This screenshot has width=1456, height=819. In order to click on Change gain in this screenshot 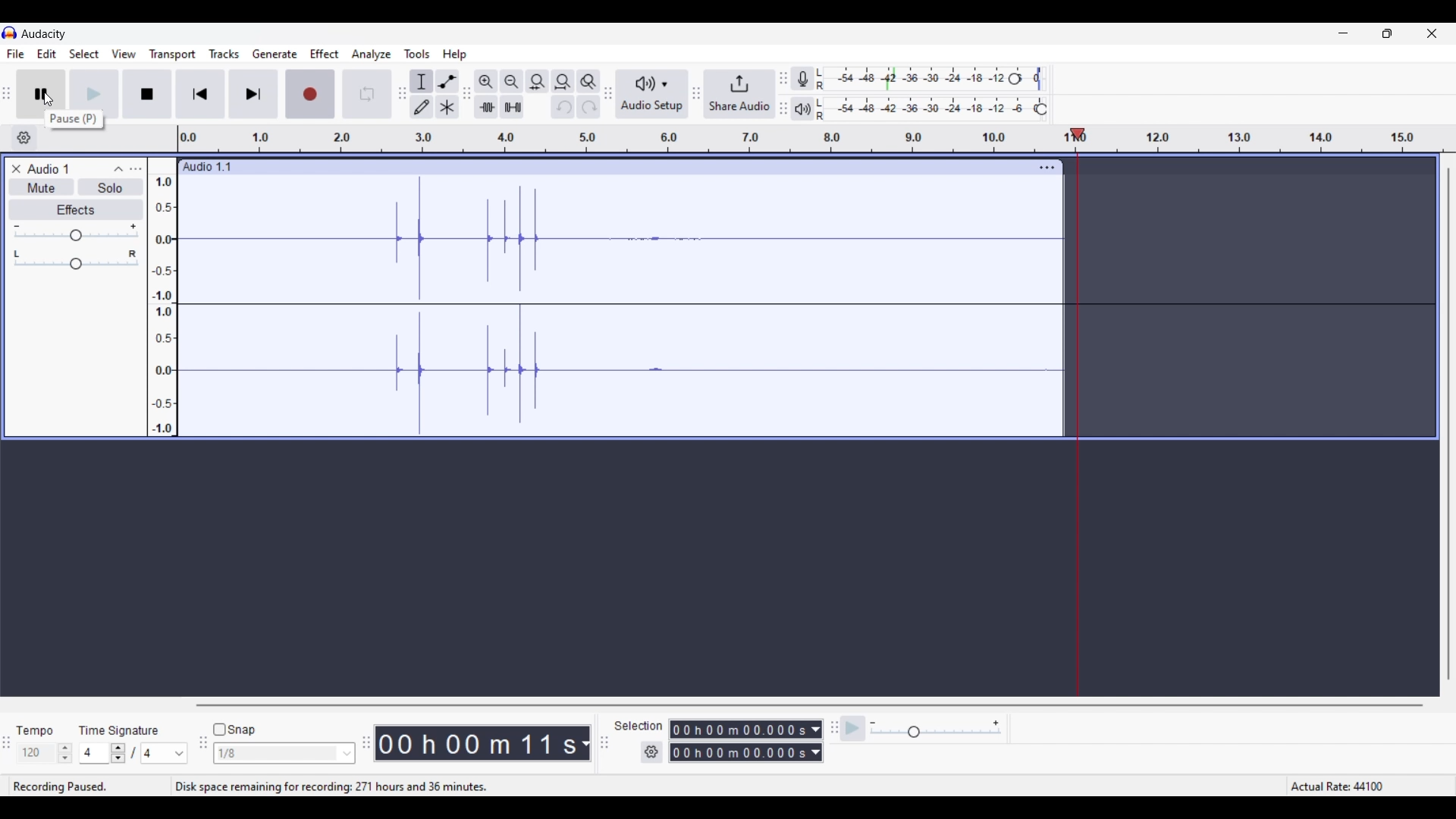, I will do `click(75, 236)`.